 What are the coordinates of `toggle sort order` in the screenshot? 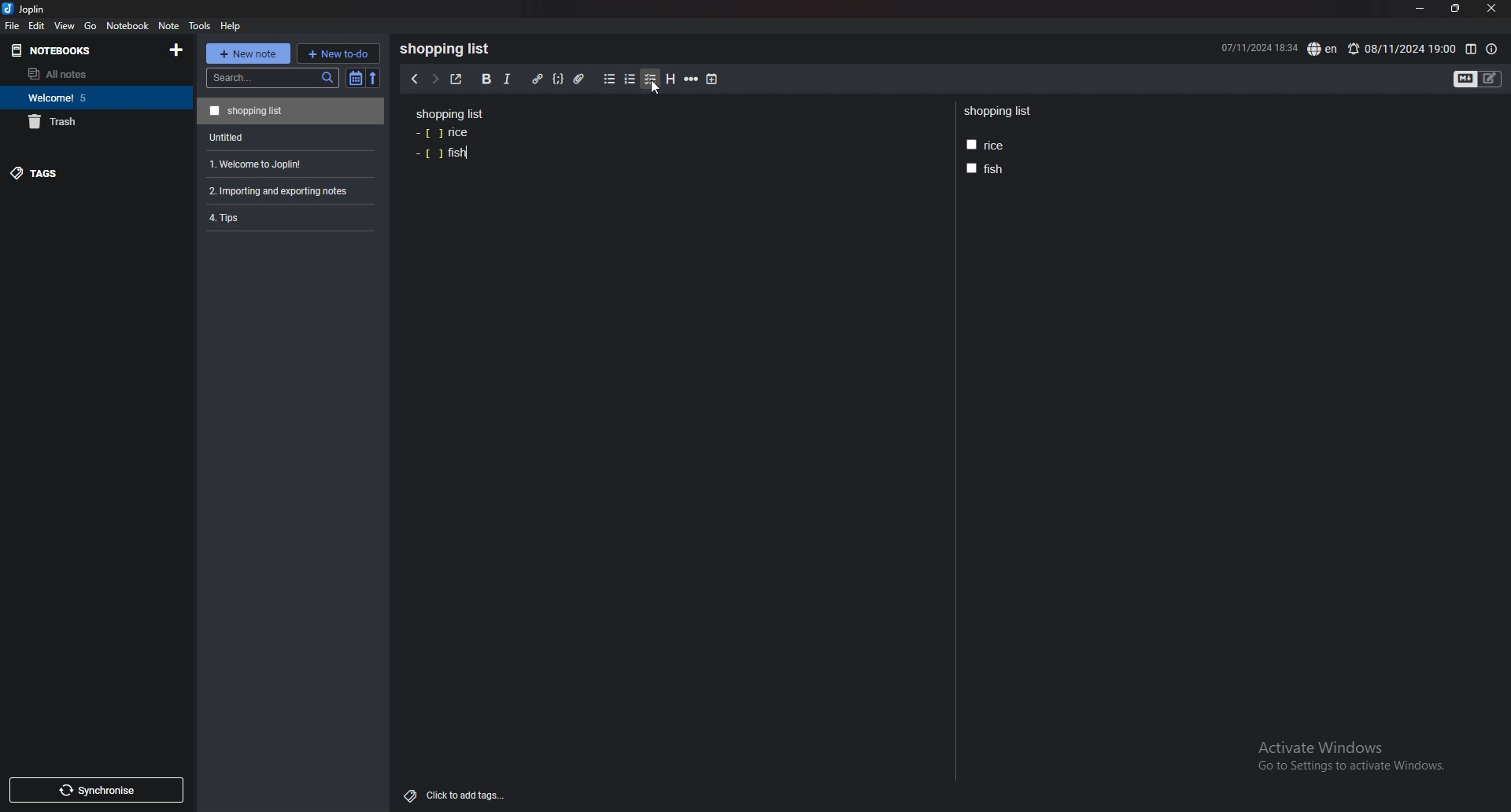 It's located at (356, 78).